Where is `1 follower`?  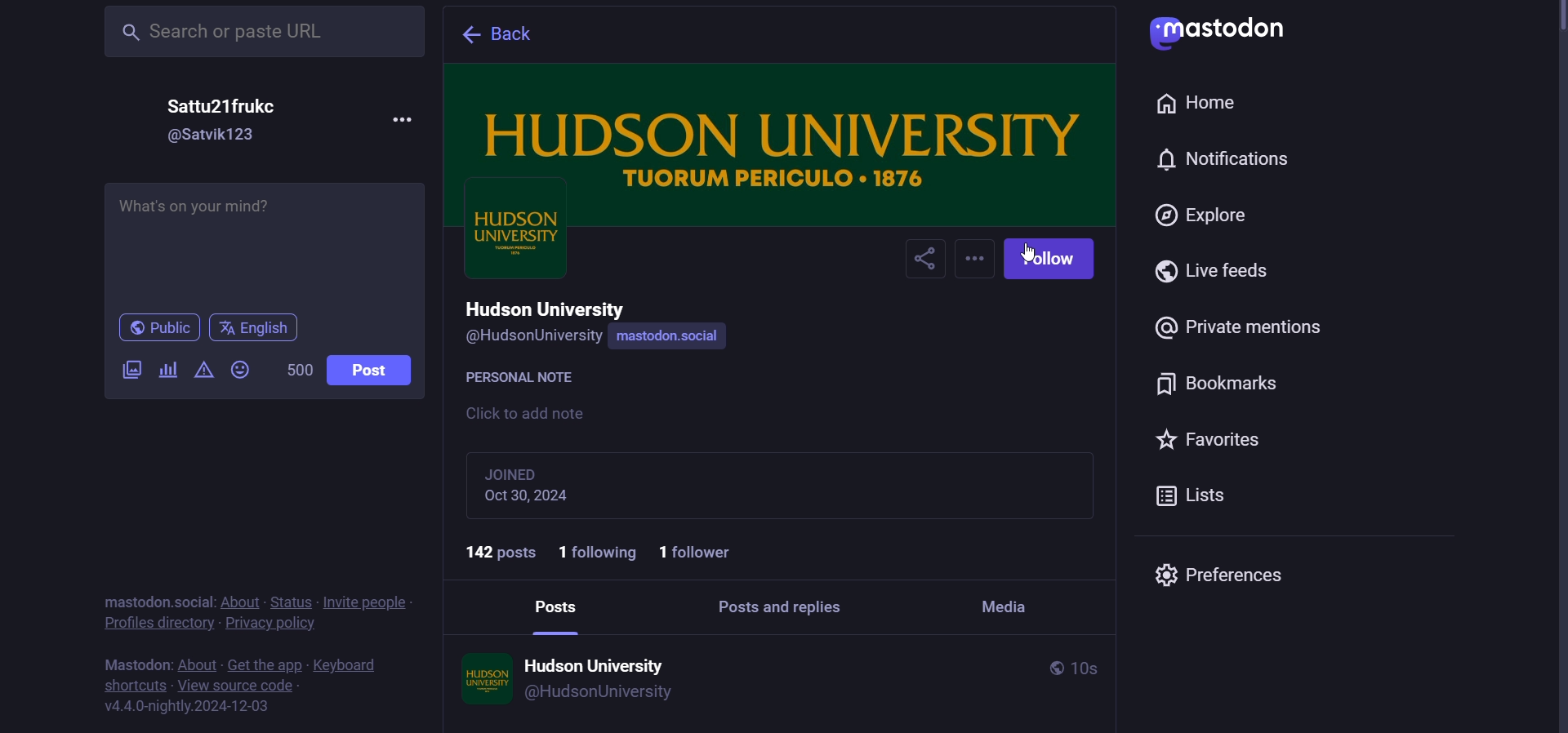
1 follower is located at coordinates (705, 553).